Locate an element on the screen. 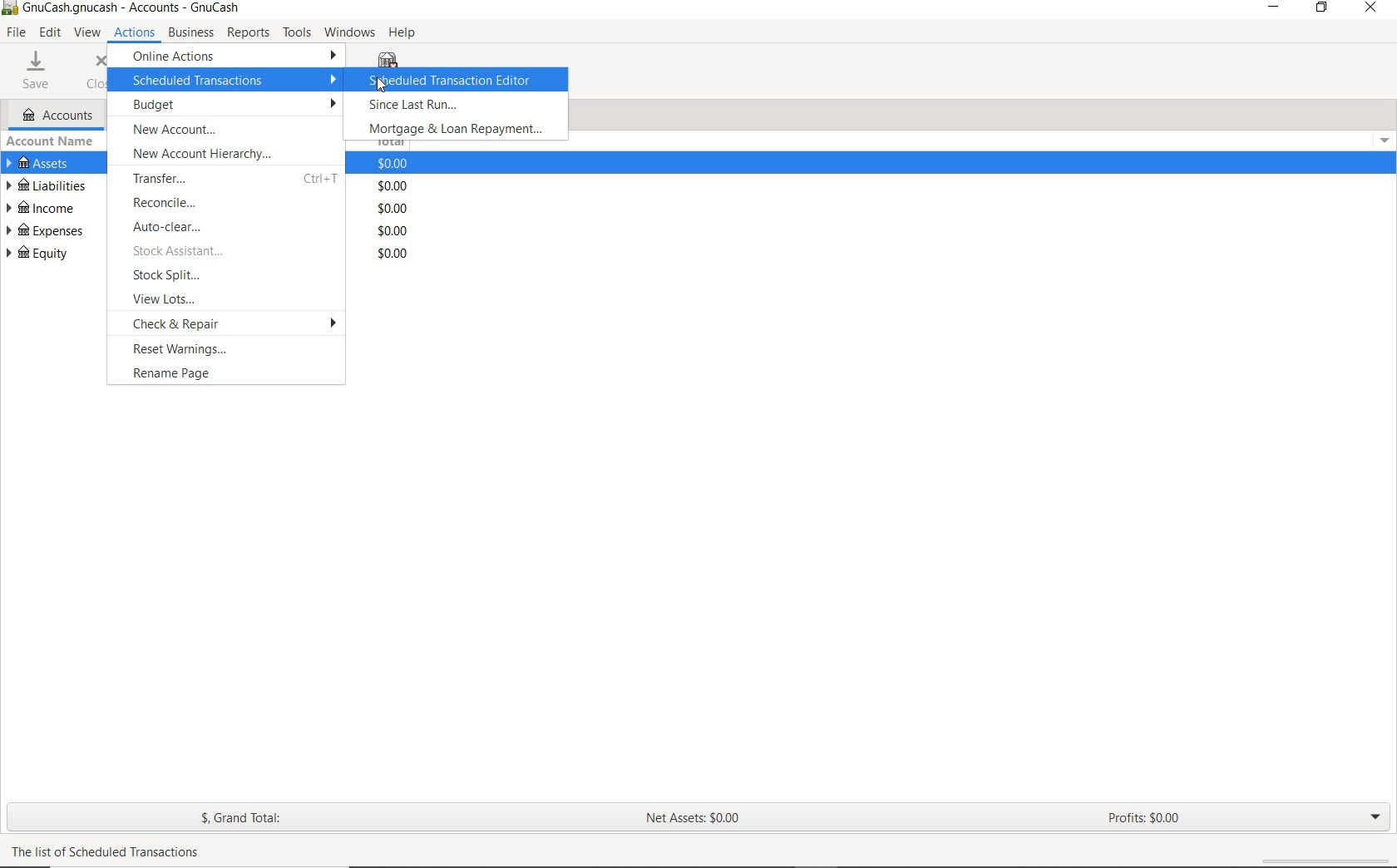 This screenshot has width=1397, height=868. MORTGAGE & LOAN REPAYMENT is located at coordinates (455, 130).